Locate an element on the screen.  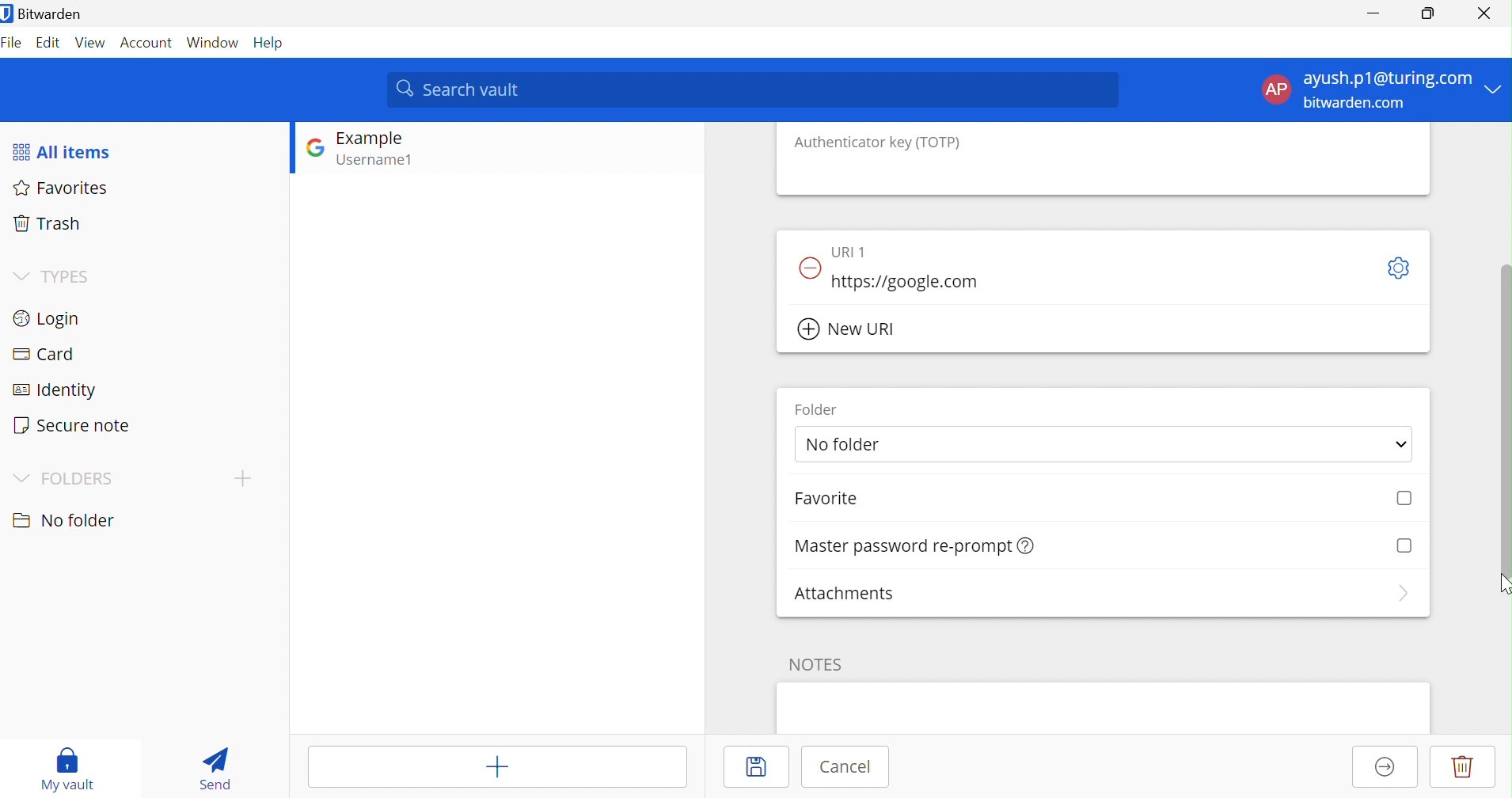
Drop Down is located at coordinates (1400, 442).